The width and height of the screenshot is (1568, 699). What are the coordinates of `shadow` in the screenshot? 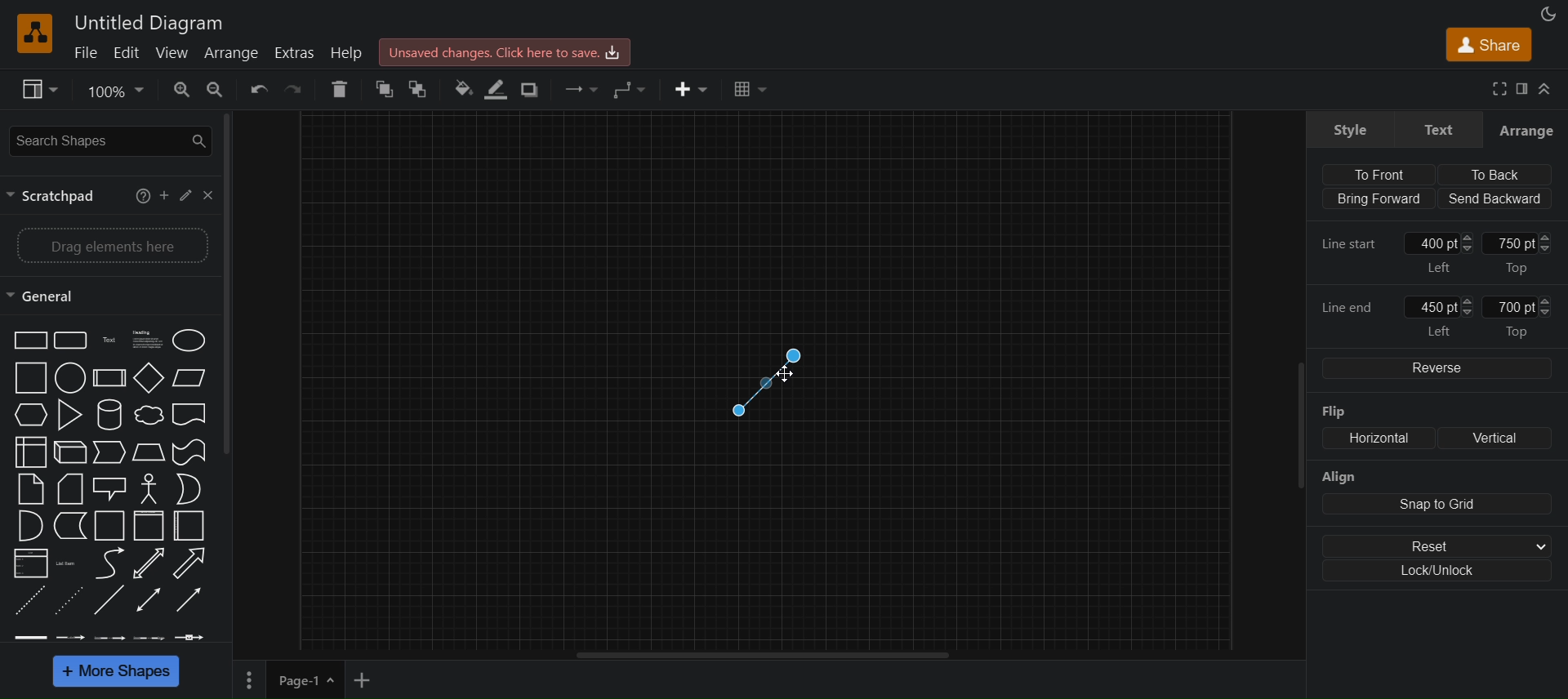 It's located at (528, 89).